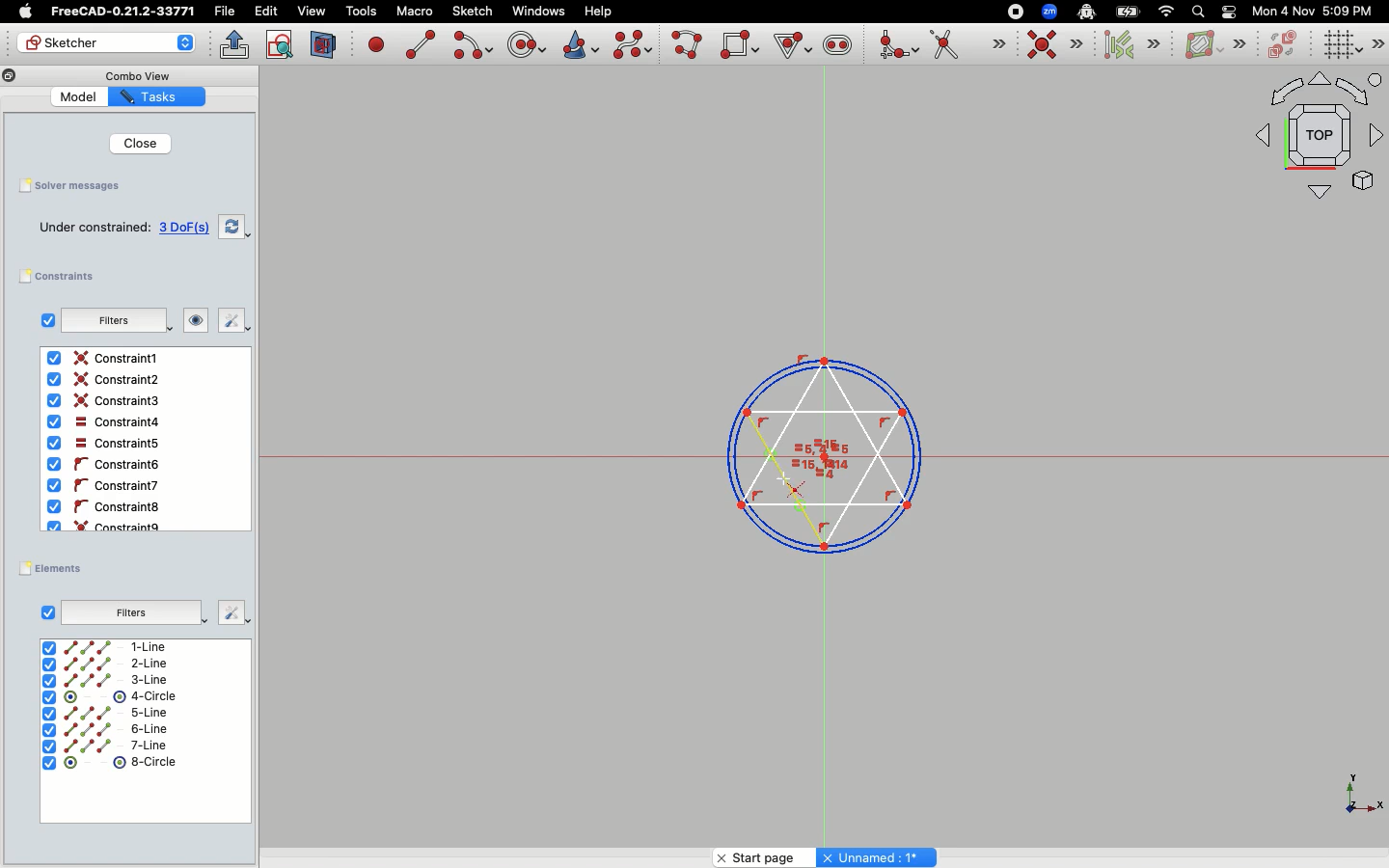  Describe the element at coordinates (231, 321) in the screenshot. I see `Fix` at that location.